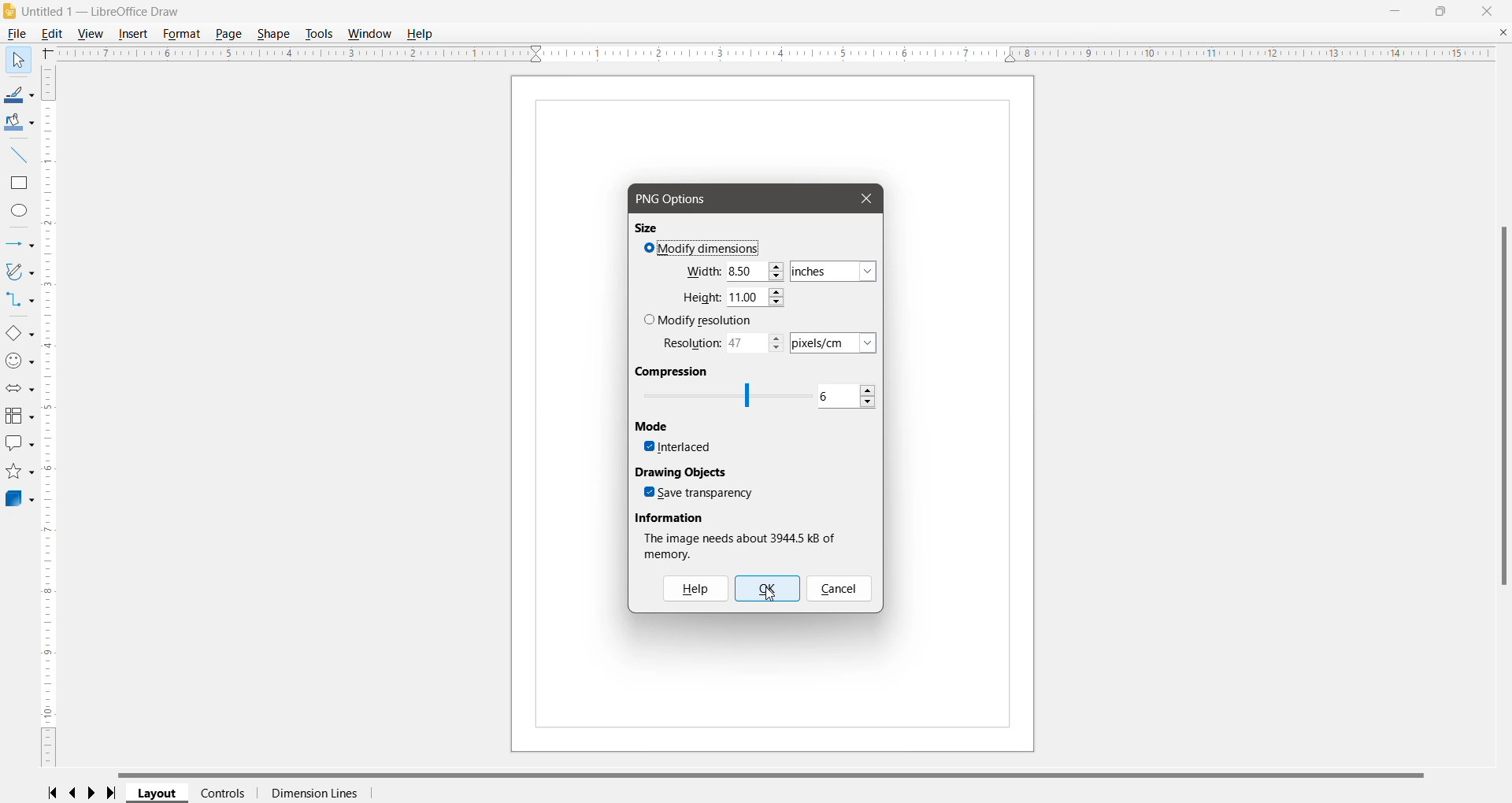 The image size is (1512, 803). I want to click on Scroll to next page, so click(95, 793).